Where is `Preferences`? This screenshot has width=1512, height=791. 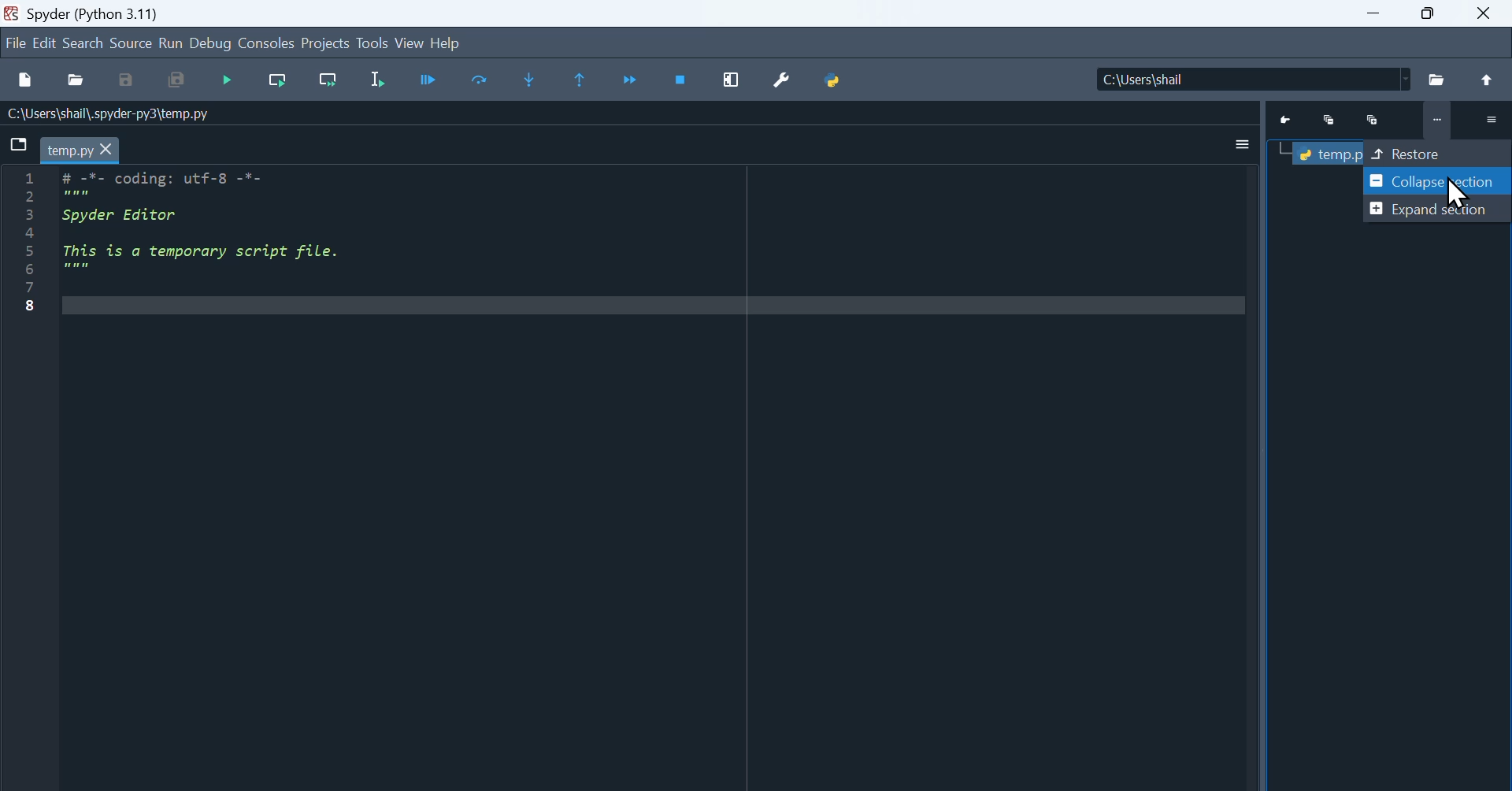 Preferences is located at coordinates (782, 81).